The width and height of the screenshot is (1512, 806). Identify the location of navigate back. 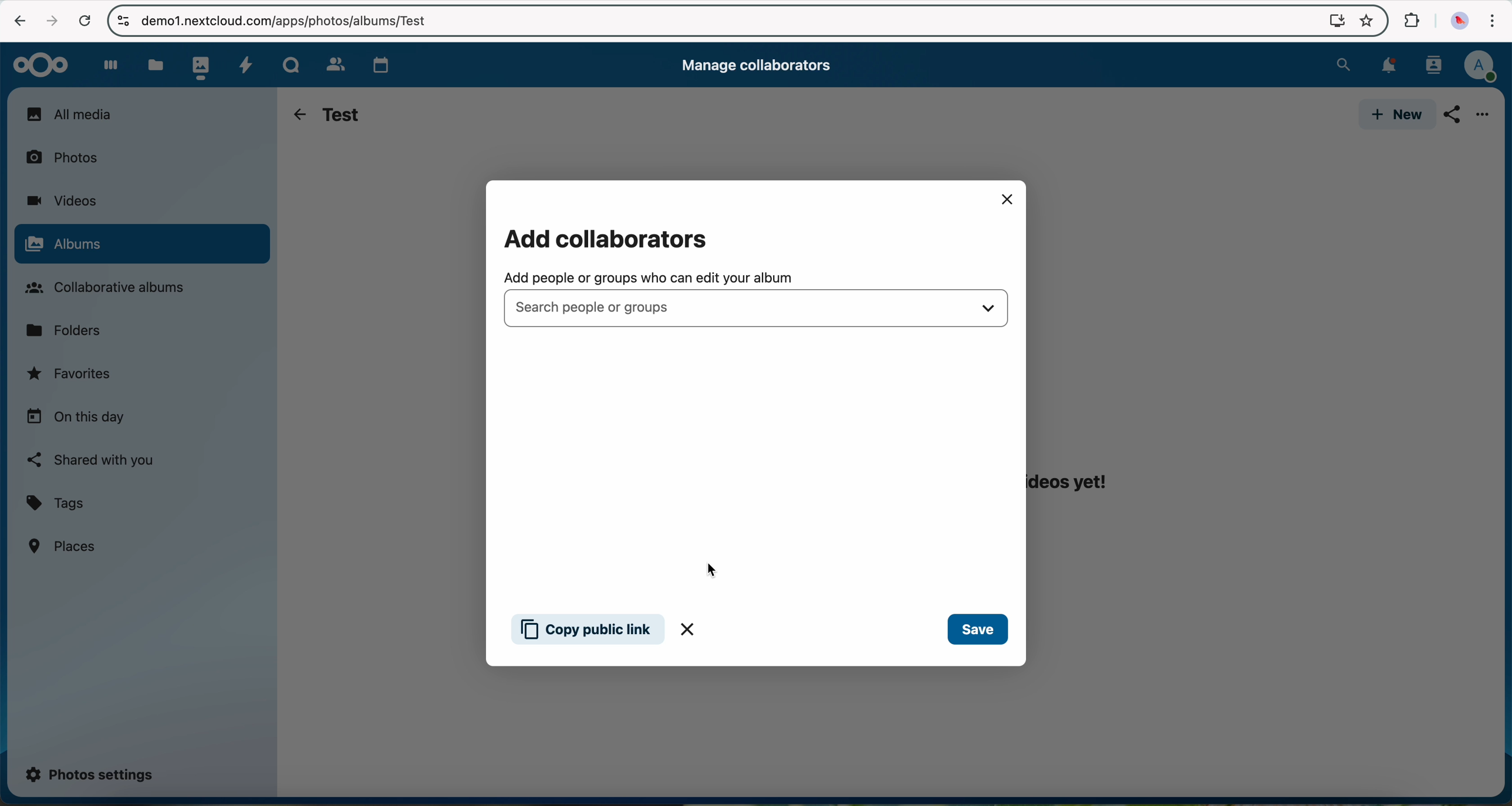
(296, 114).